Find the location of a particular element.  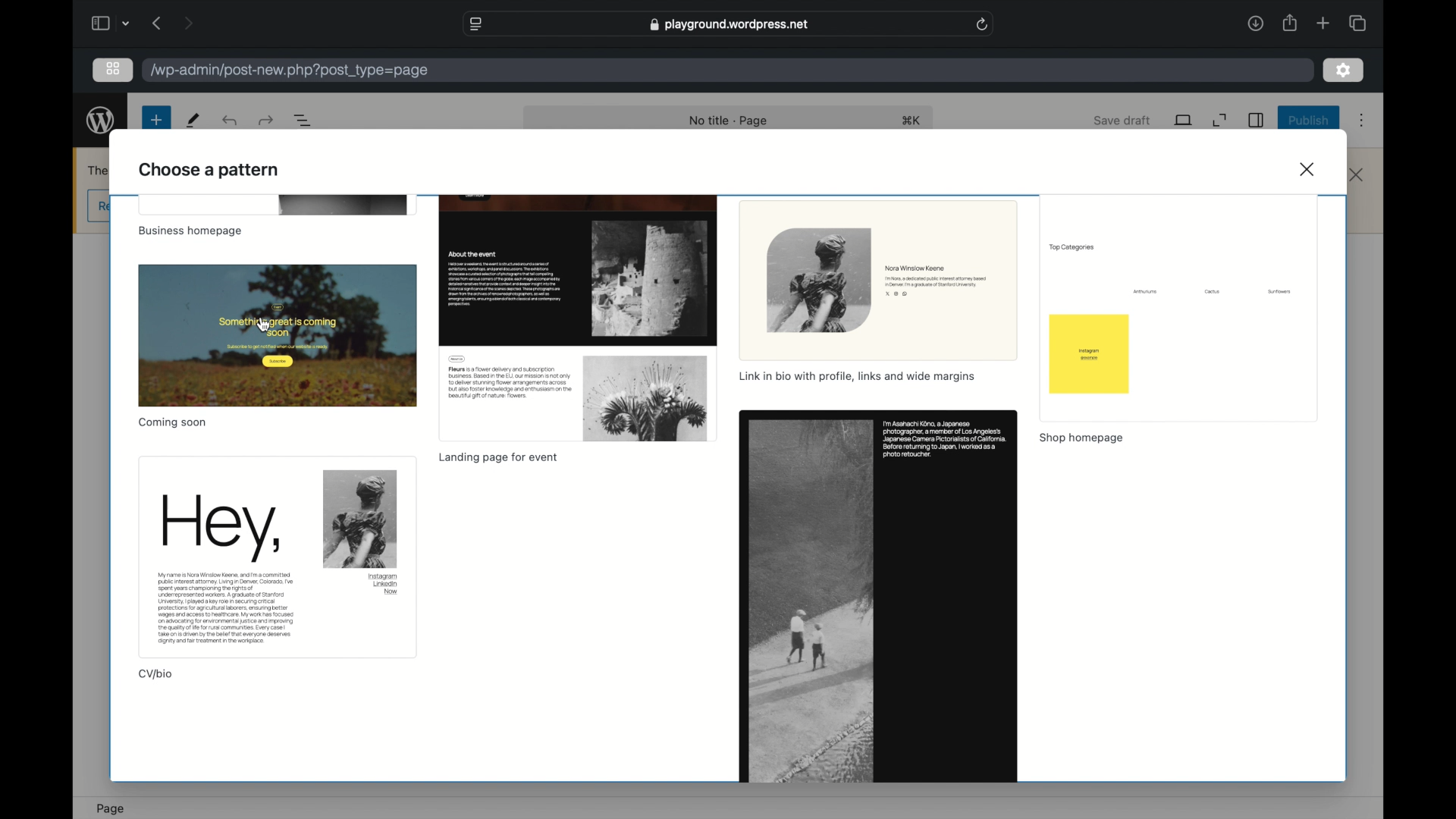

preview is located at coordinates (878, 278).